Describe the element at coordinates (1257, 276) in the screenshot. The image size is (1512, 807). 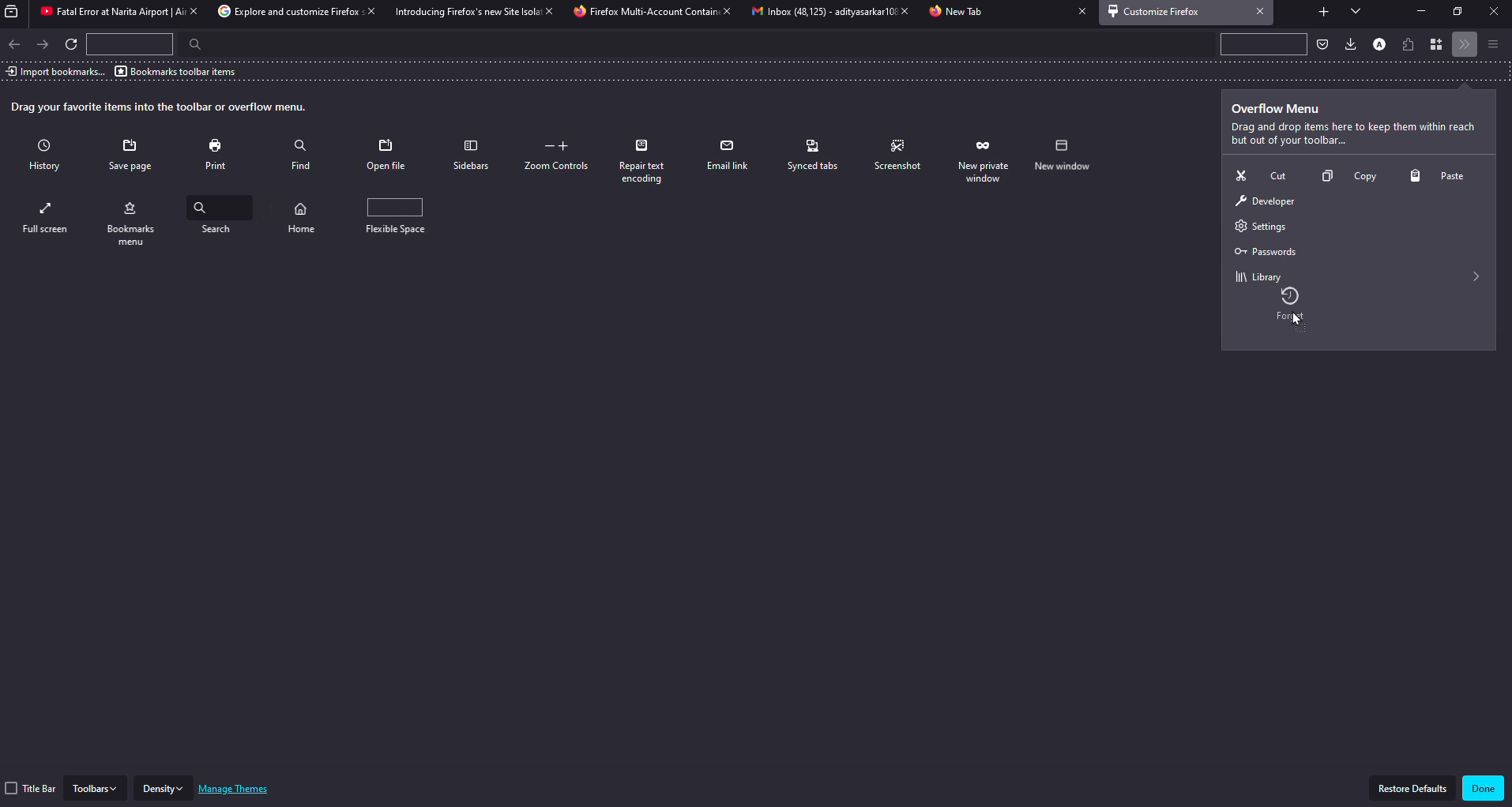
I see `library` at that location.